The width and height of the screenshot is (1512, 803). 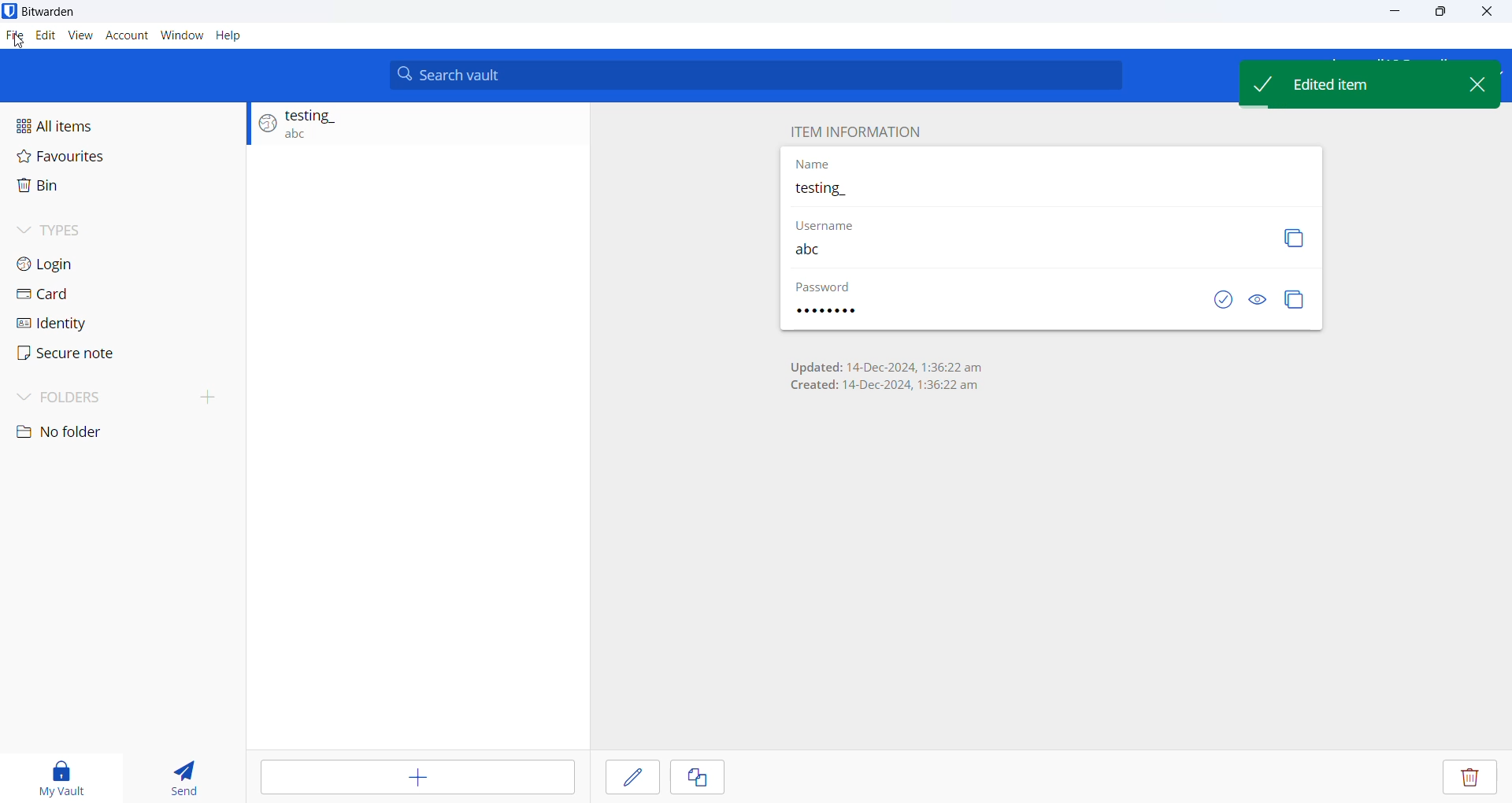 I want to click on Edit, so click(x=45, y=36).